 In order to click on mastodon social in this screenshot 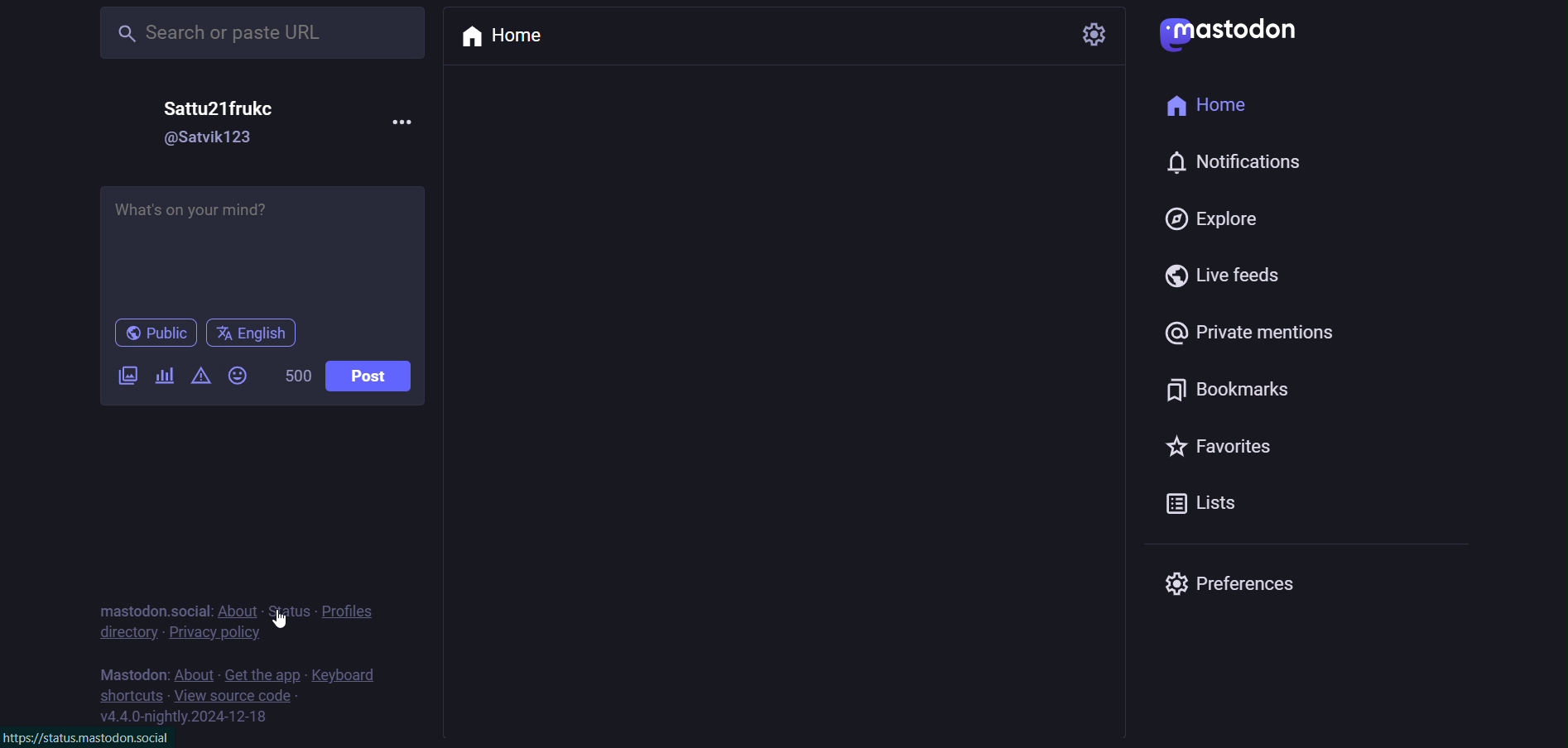, I will do `click(153, 608)`.